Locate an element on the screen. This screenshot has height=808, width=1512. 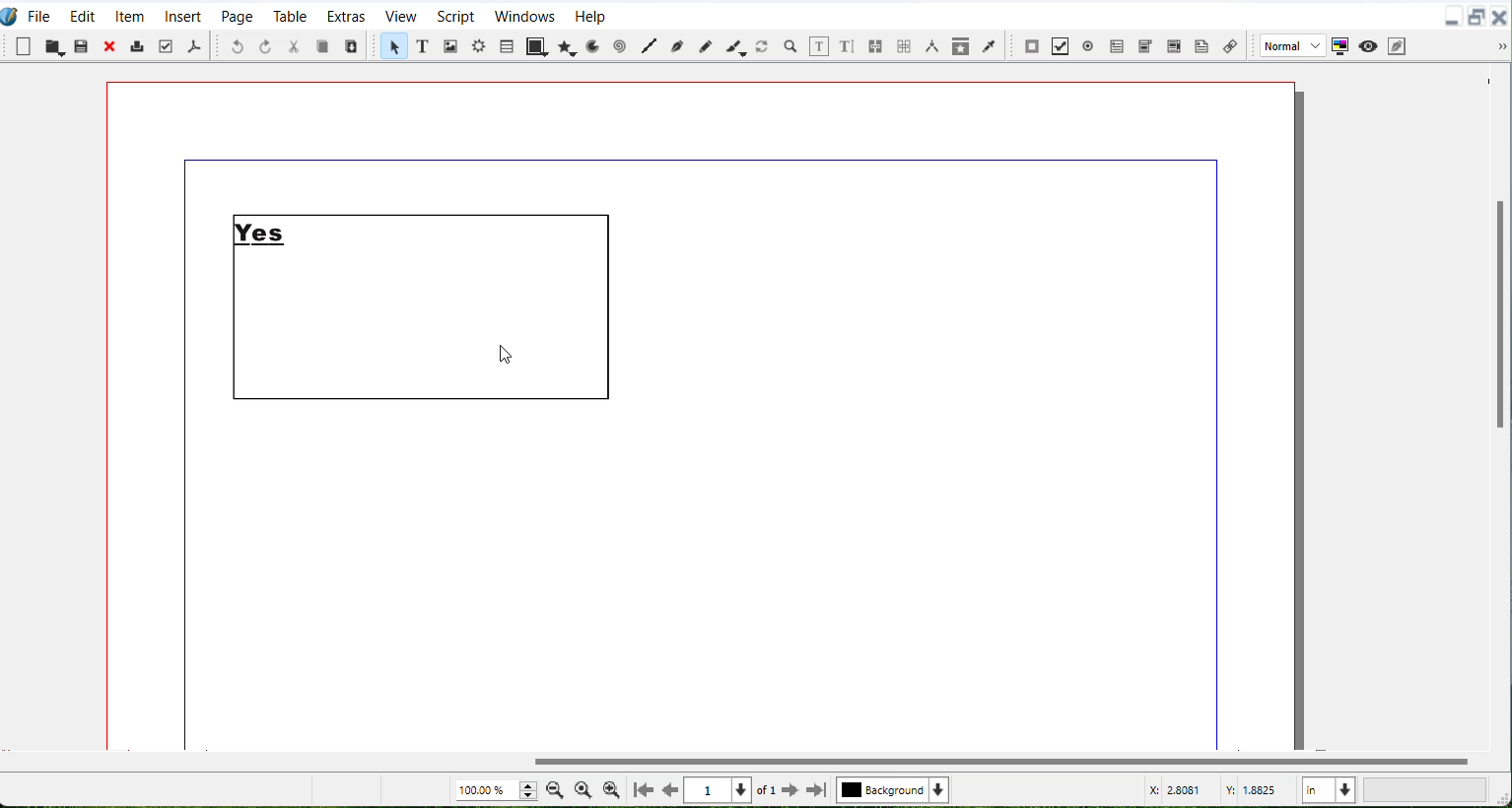
File is located at coordinates (40, 14).